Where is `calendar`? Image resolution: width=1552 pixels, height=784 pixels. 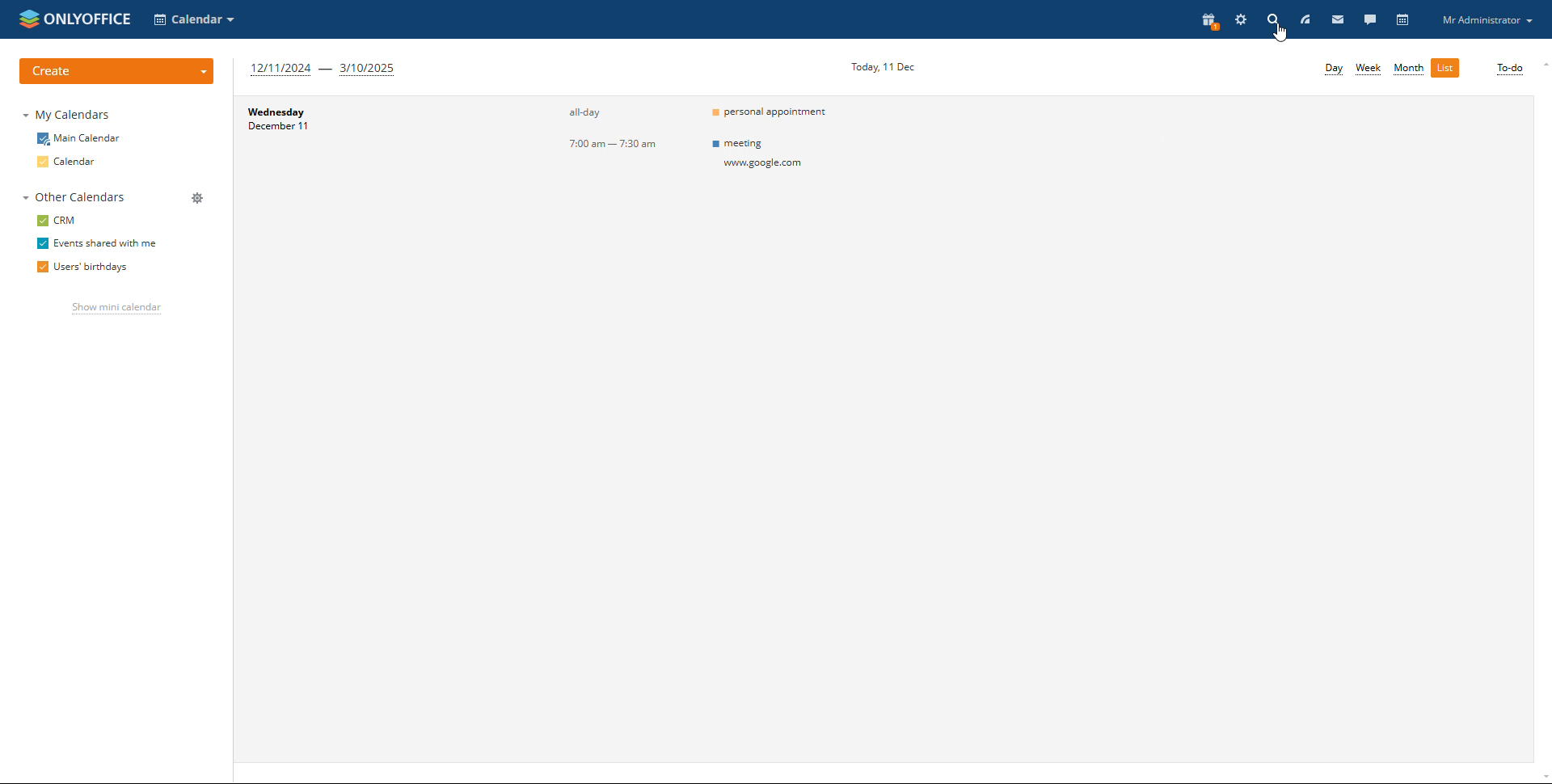 calendar is located at coordinates (70, 162).